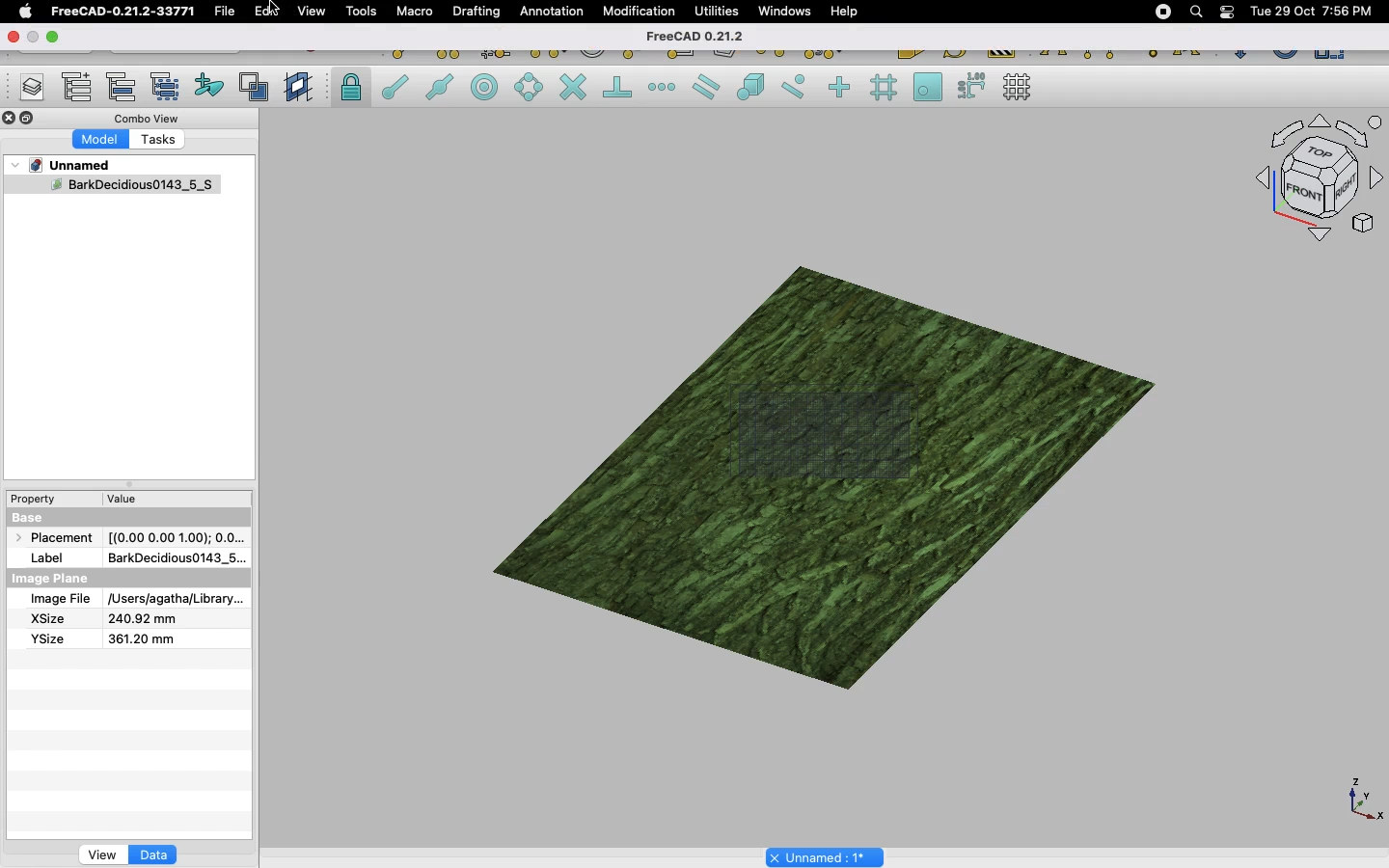 This screenshot has width=1389, height=868. Describe the element at coordinates (153, 854) in the screenshot. I see `Data` at that location.